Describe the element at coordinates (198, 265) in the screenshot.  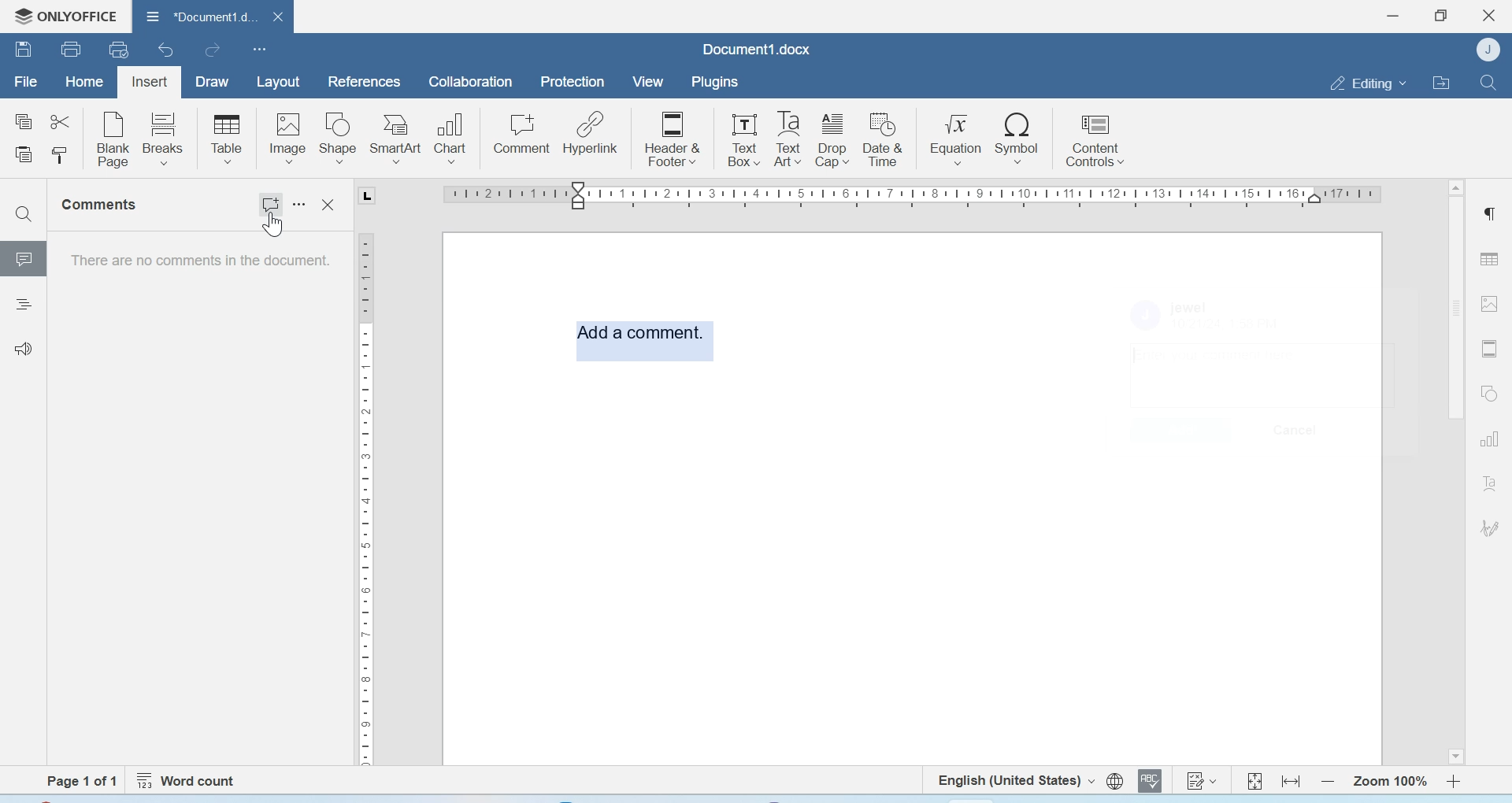
I see `There are no comments in the document.` at that location.